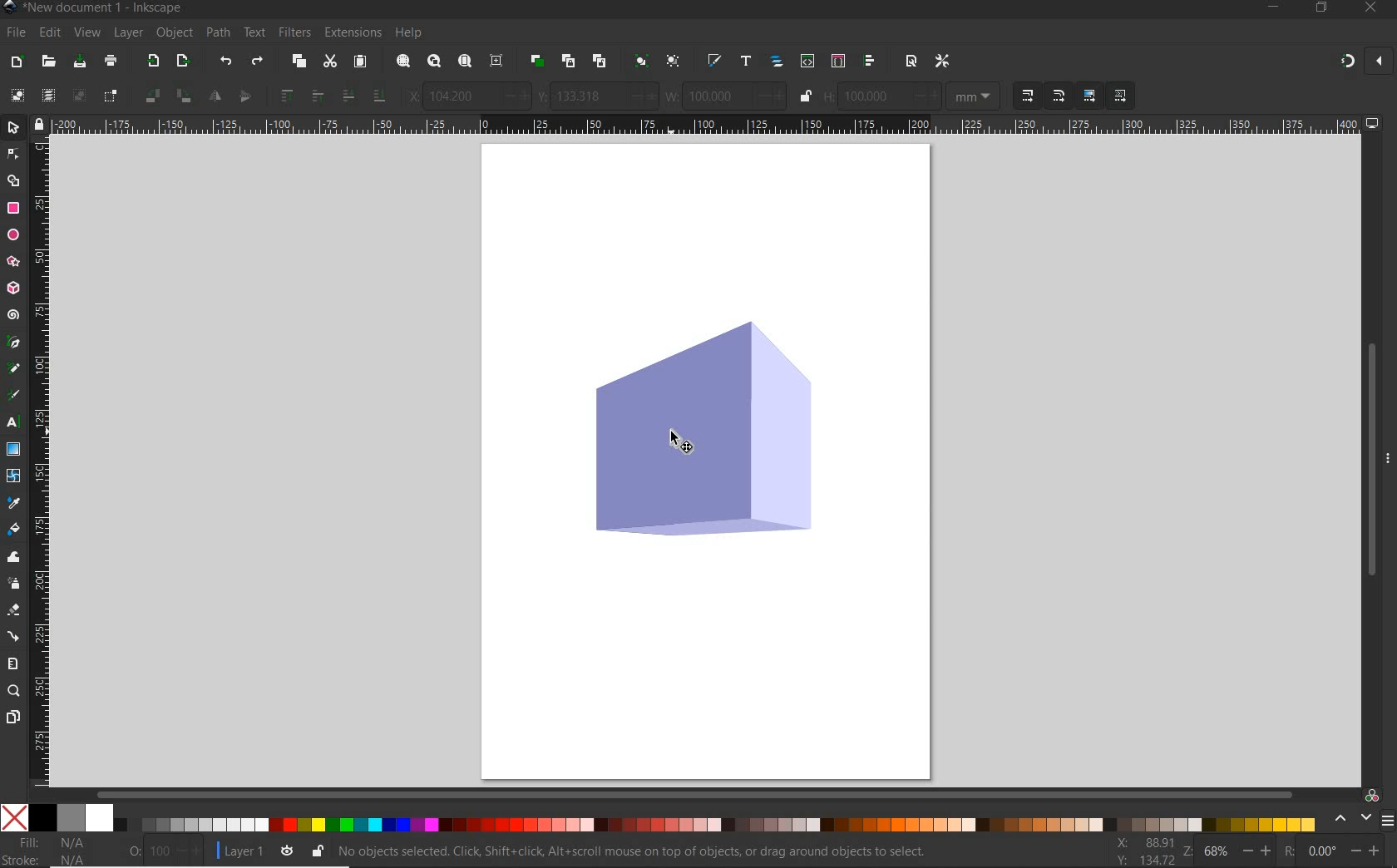 The width and height of the screenshot is (1397, 868). What do you see at coordinates (14, 584) in the screenshot?
I see `SPRAY TOOL` at bounding box center [14, 584].